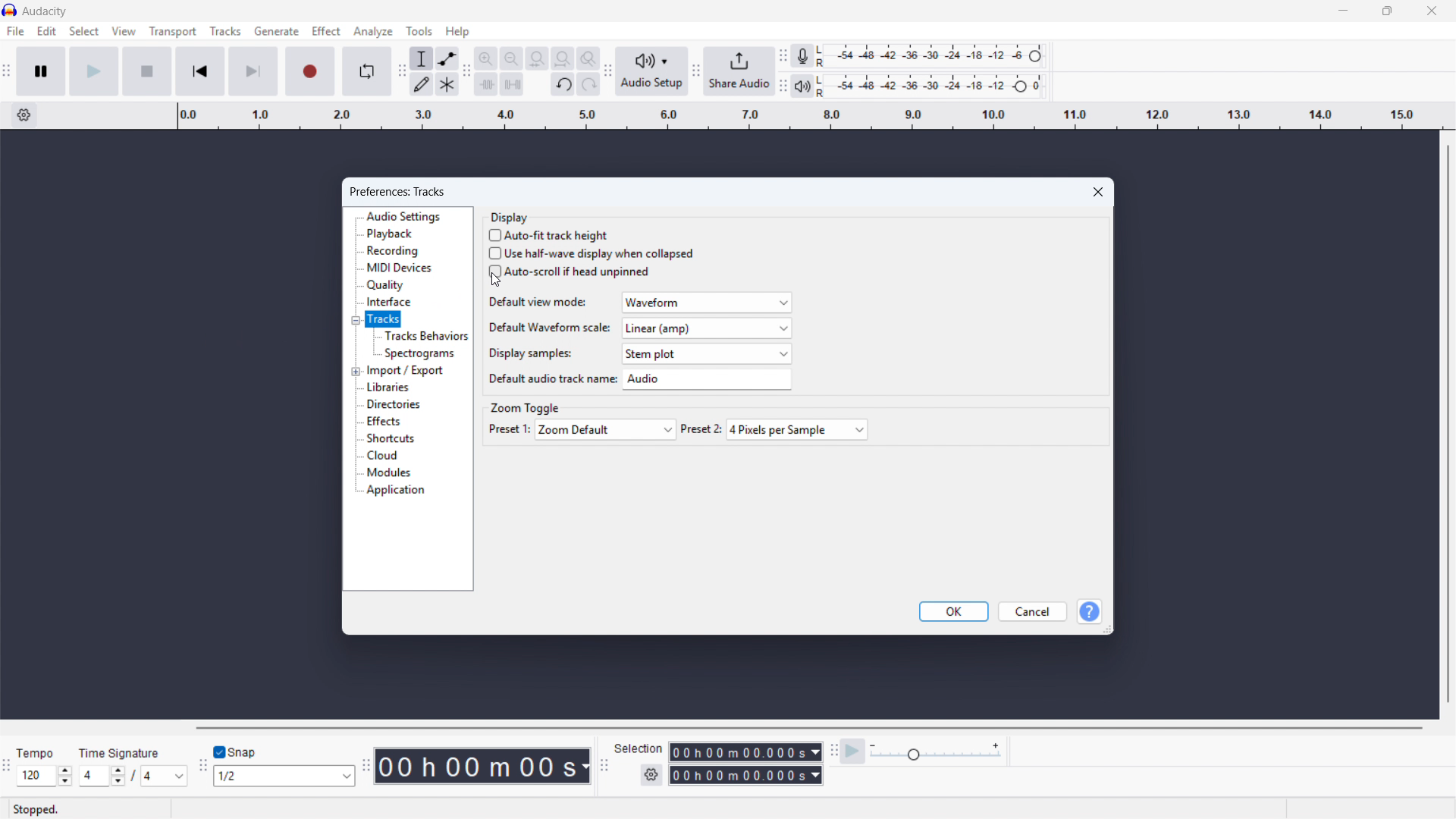  I want to click on snapping toolbar, so click(202, 767).